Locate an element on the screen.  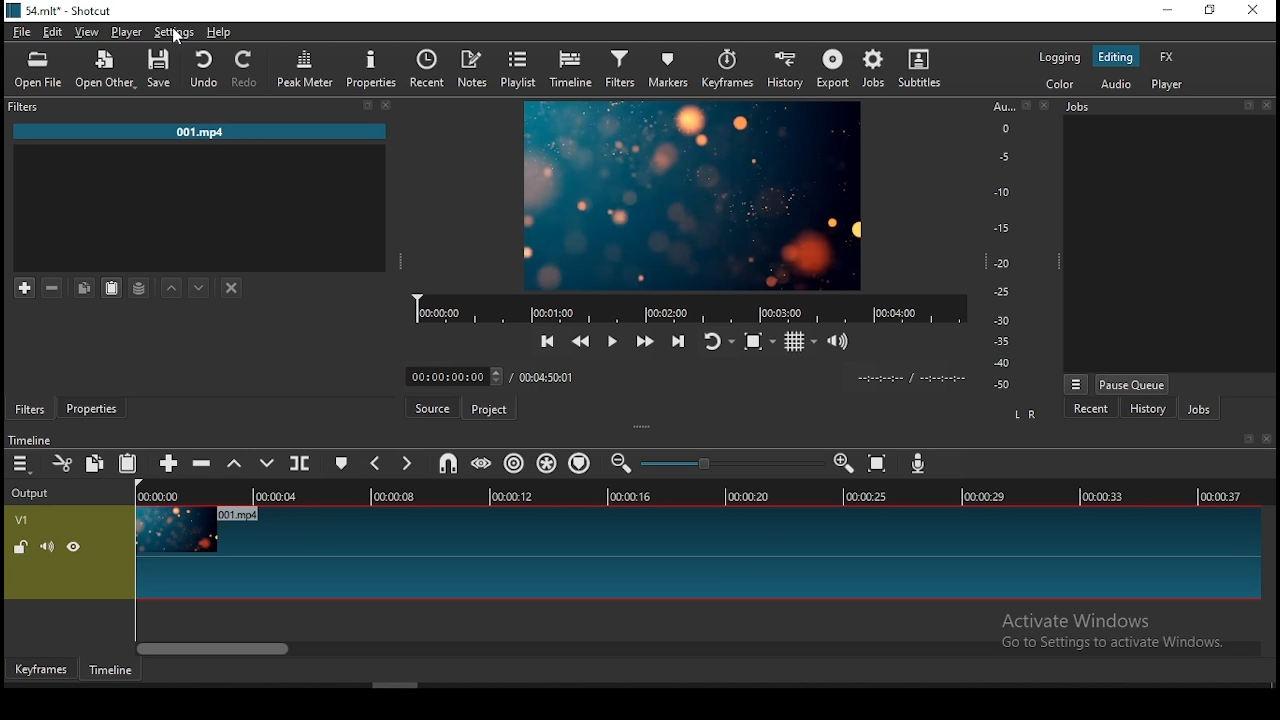
close window is located at coordinates (1252, 11).